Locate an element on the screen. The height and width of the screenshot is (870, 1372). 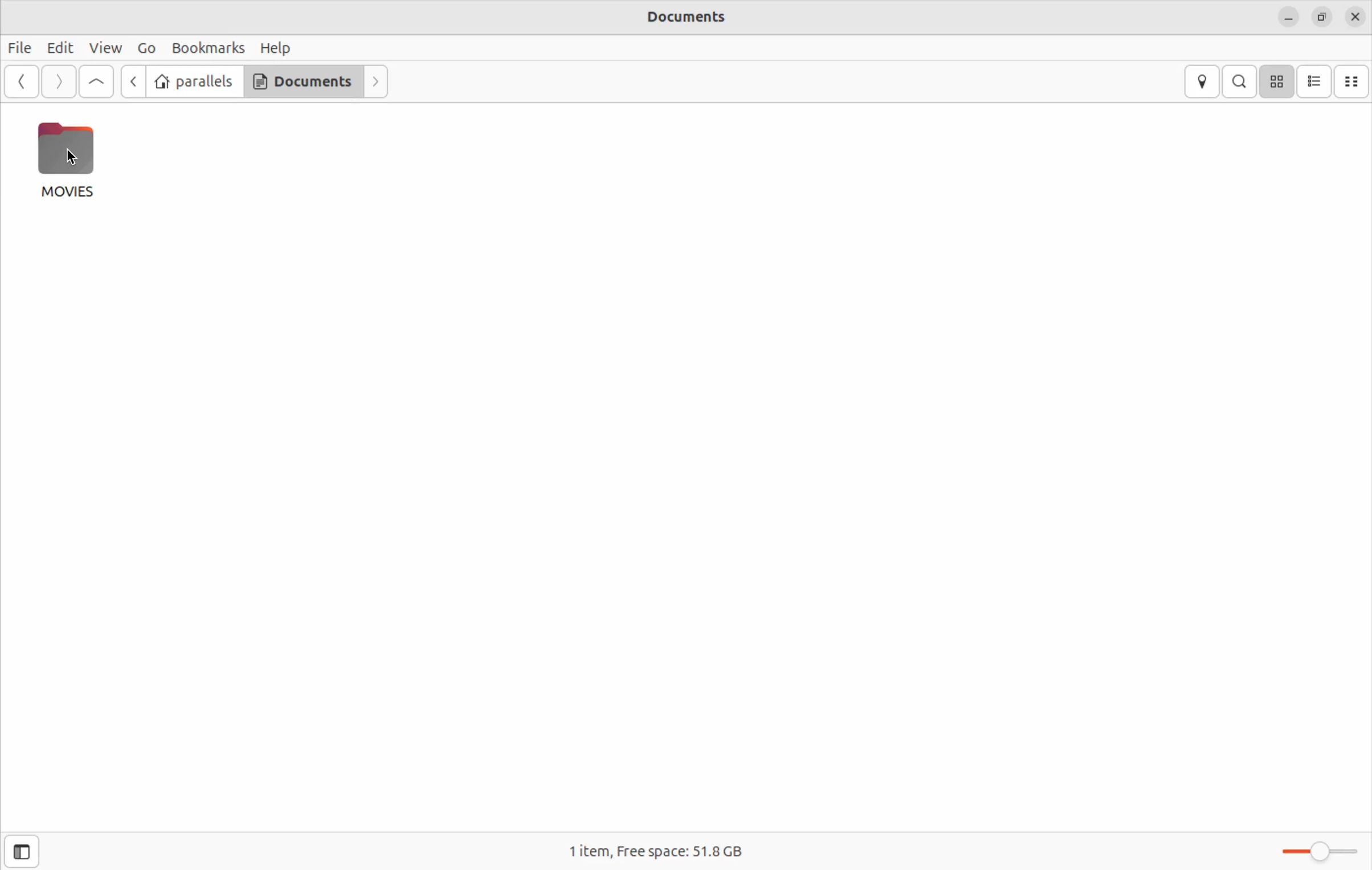
list view is located at coordinates (1315, 80).